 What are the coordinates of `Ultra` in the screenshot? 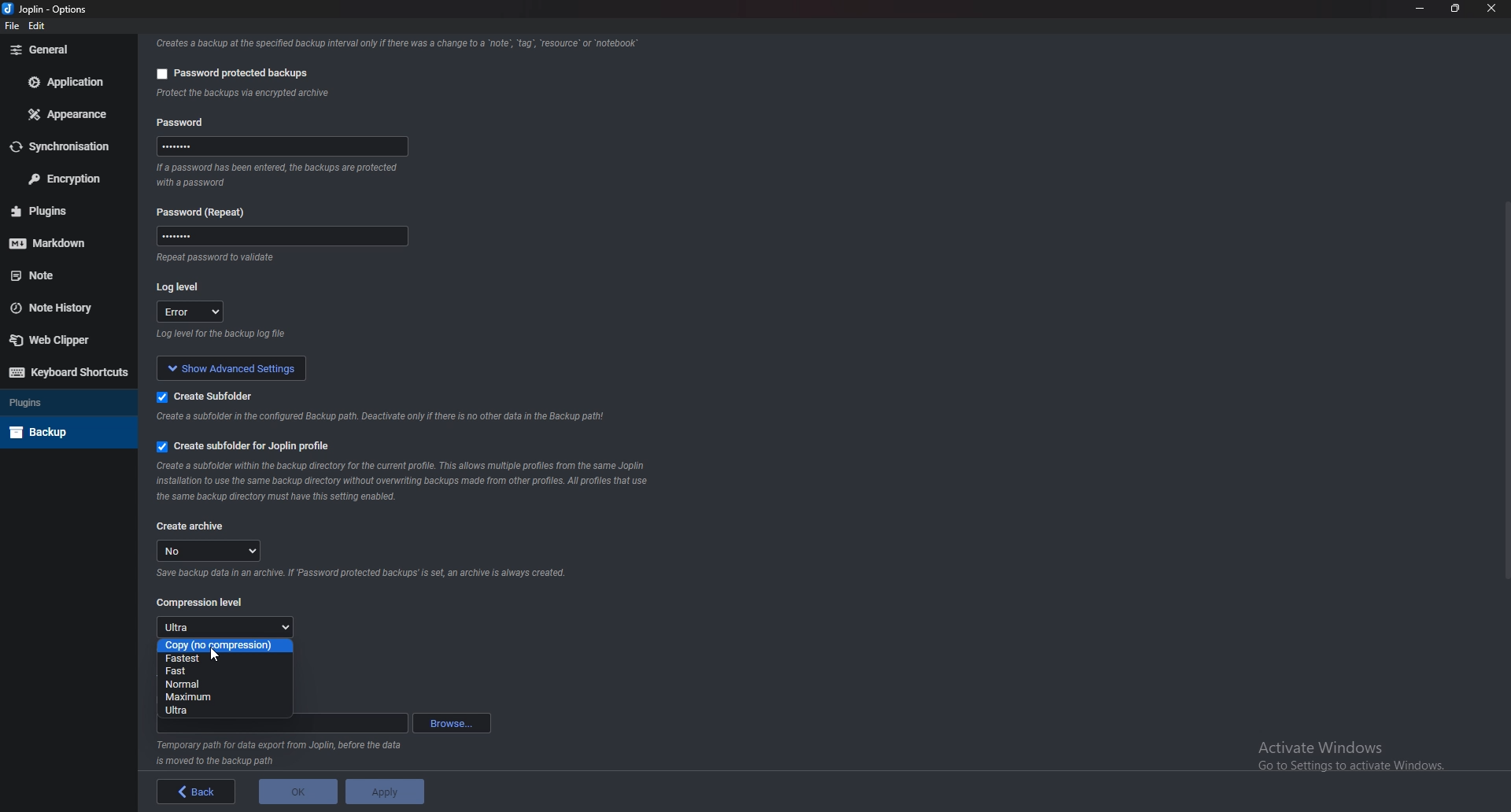 It's located at (219, 708).